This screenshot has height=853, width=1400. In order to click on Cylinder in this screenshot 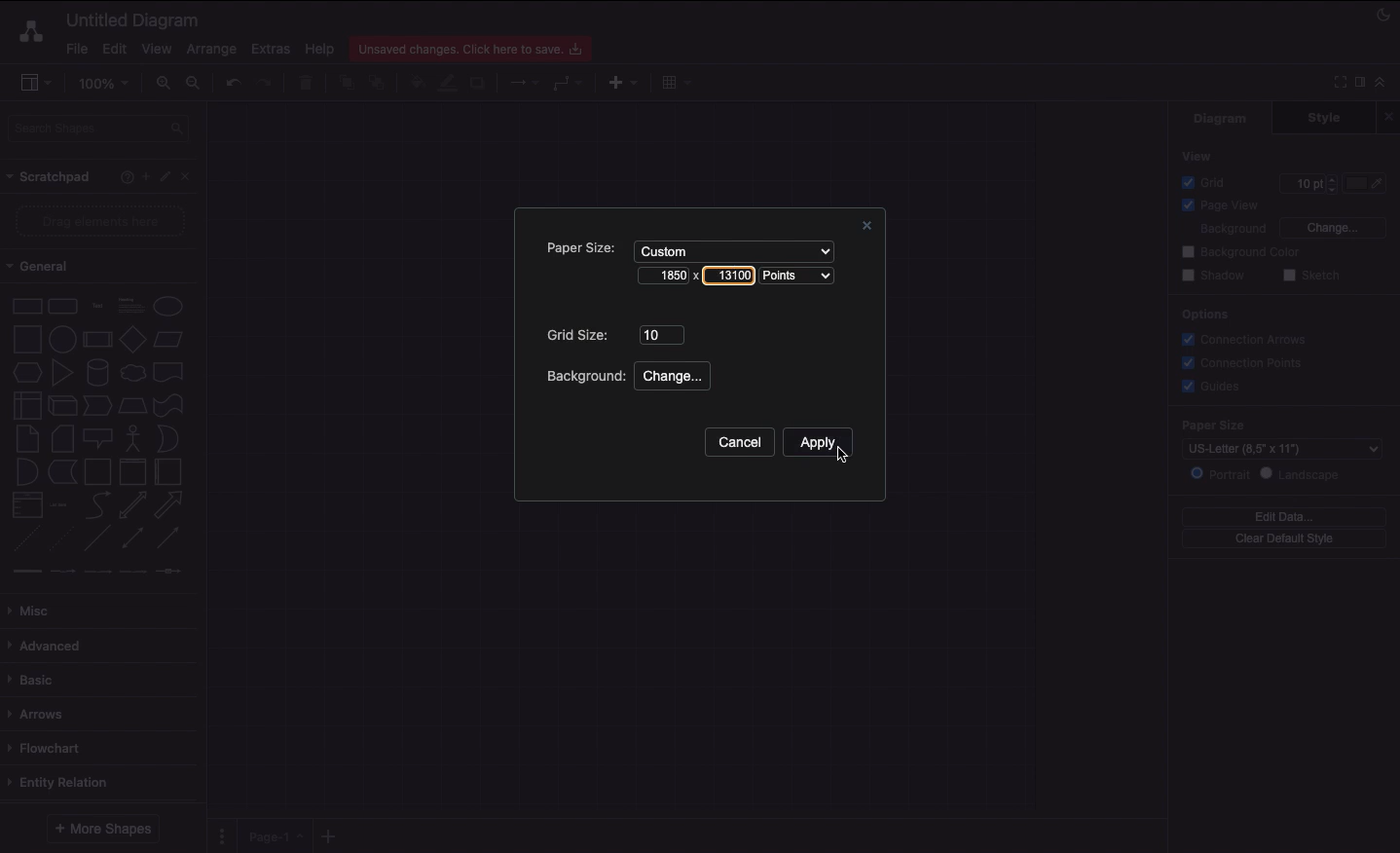, I will do `click(97, 373)`.